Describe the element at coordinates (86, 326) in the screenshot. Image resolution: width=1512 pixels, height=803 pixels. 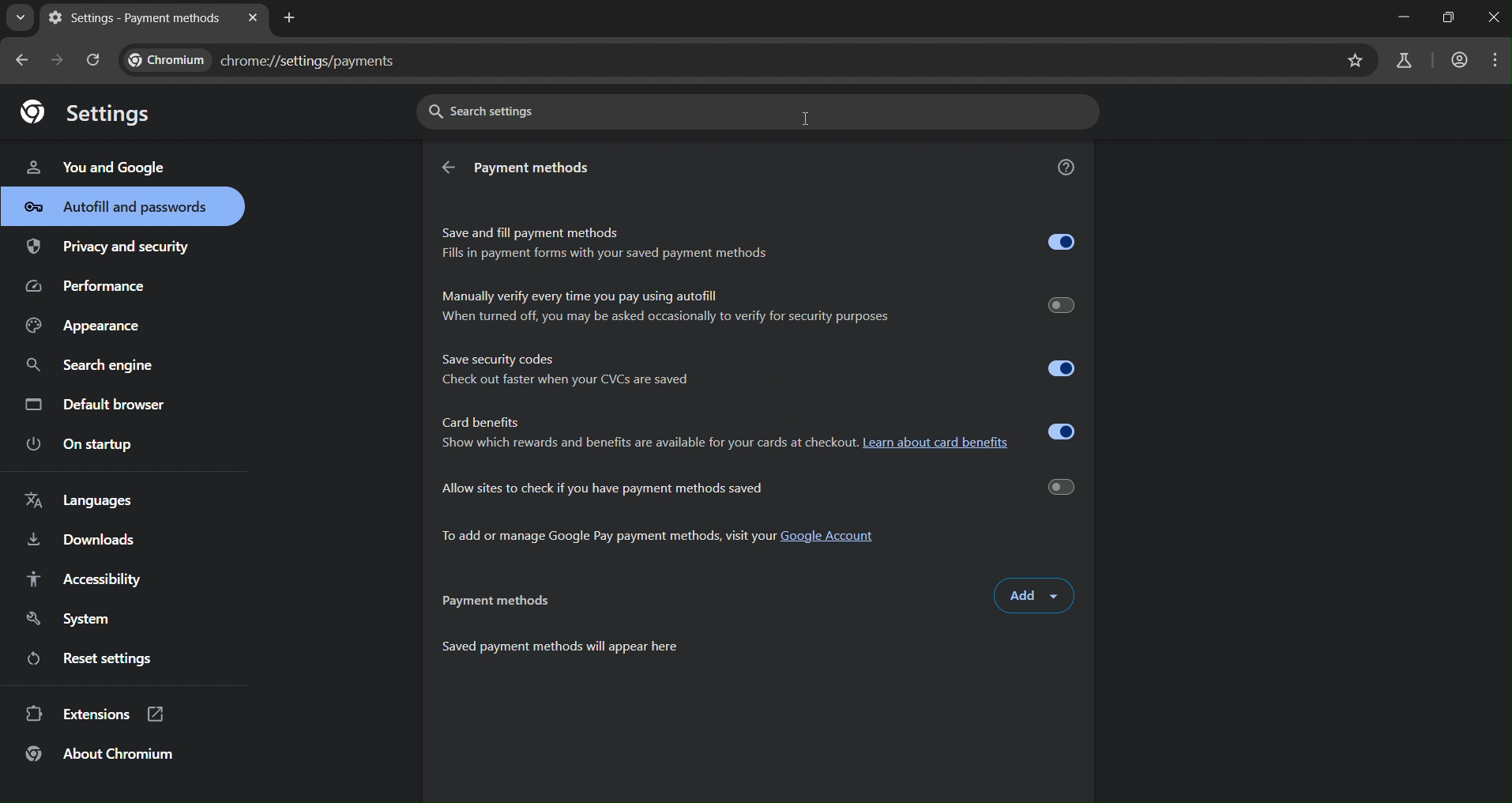
I see `appearance` at that location.